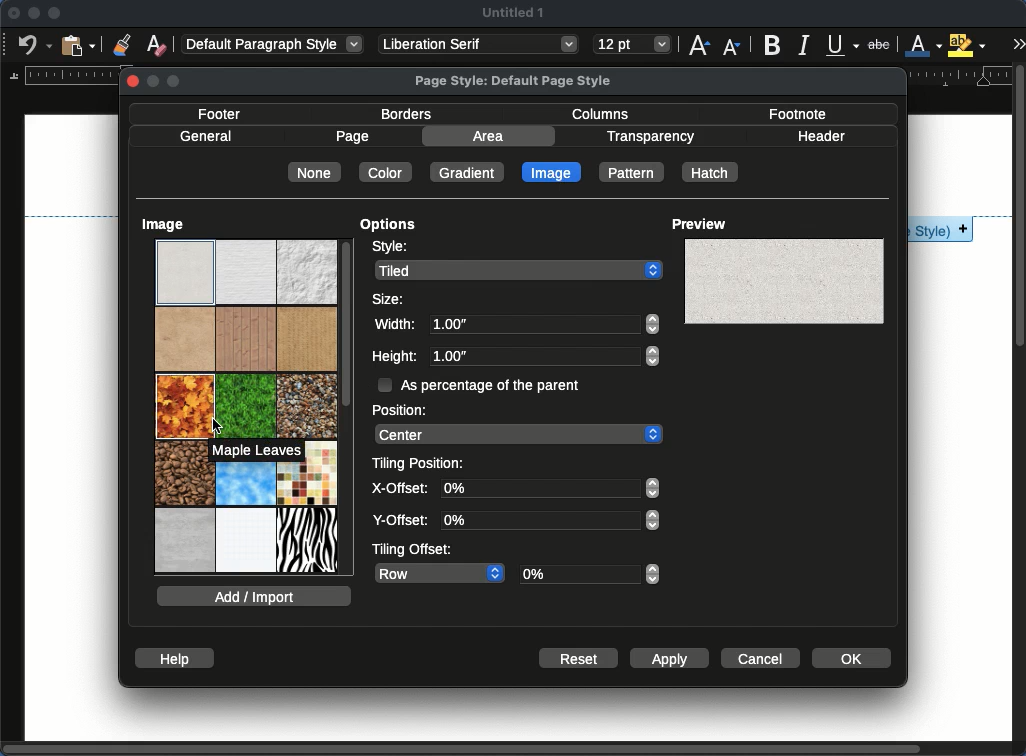 This screenshot has height=756, width=1026. I want to click on images, so click(245, 319).